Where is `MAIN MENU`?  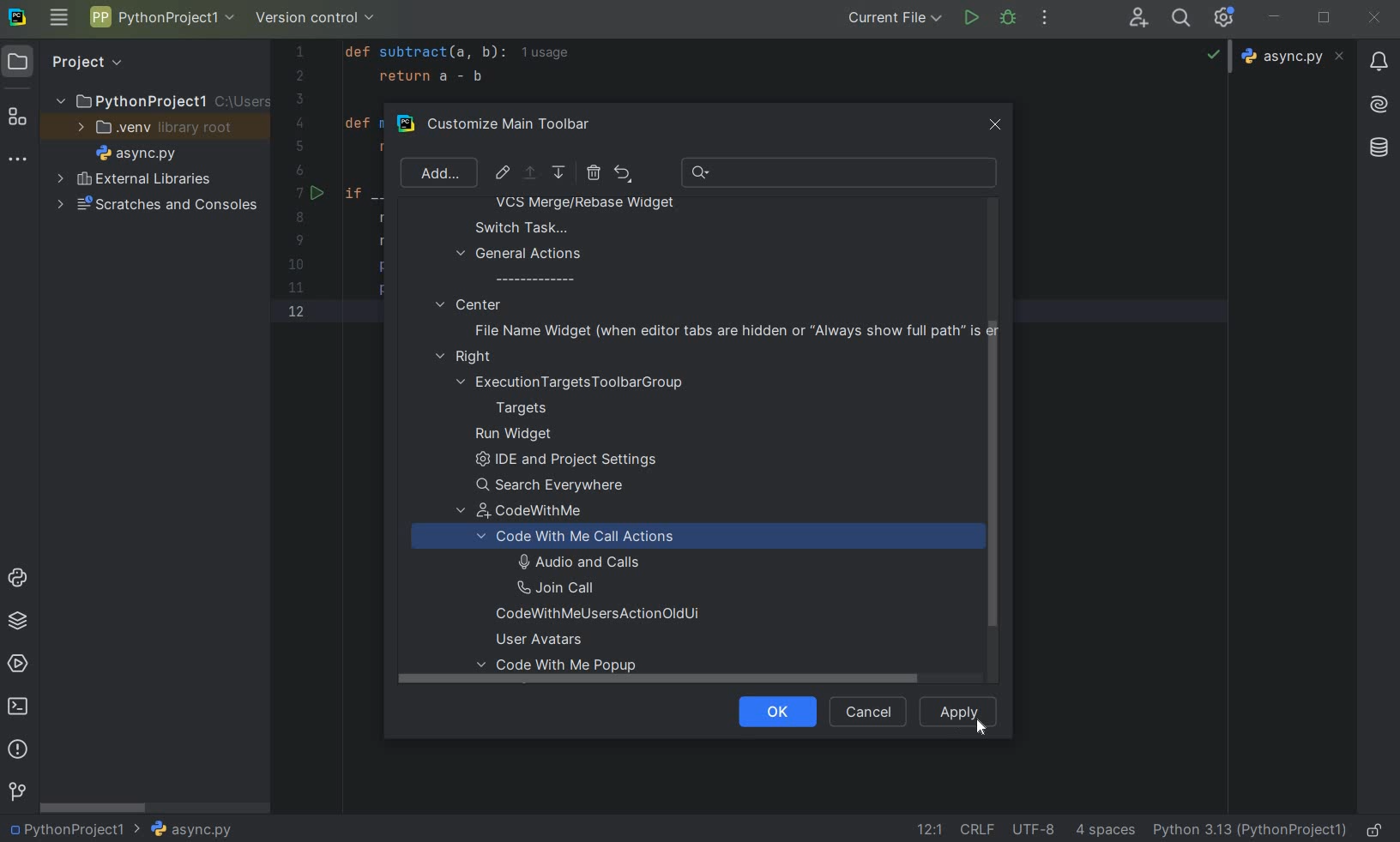
MAIN MENU is located at coordinates (57, 19).